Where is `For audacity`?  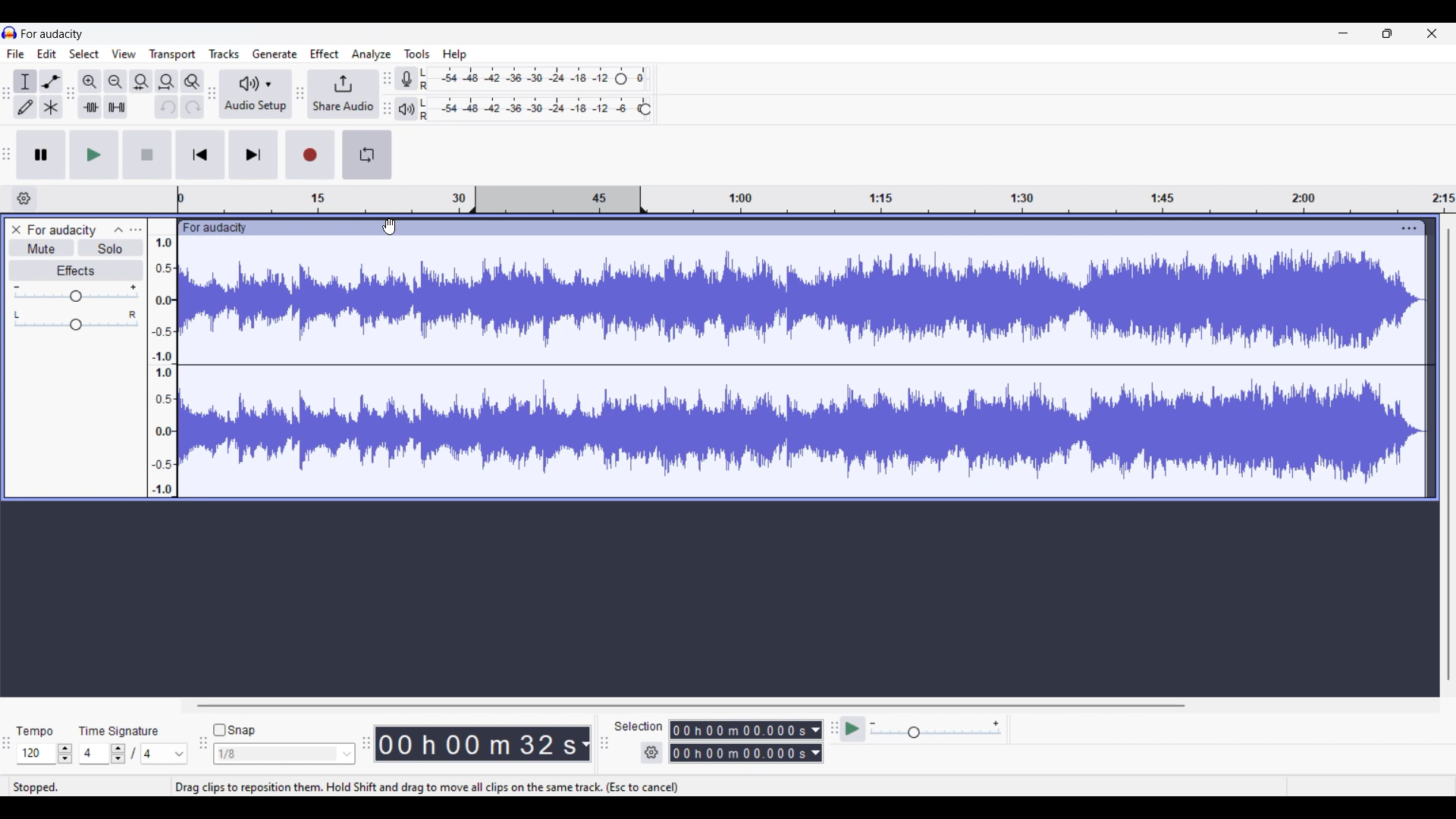
For audacity is located at coordinates (52, 34).